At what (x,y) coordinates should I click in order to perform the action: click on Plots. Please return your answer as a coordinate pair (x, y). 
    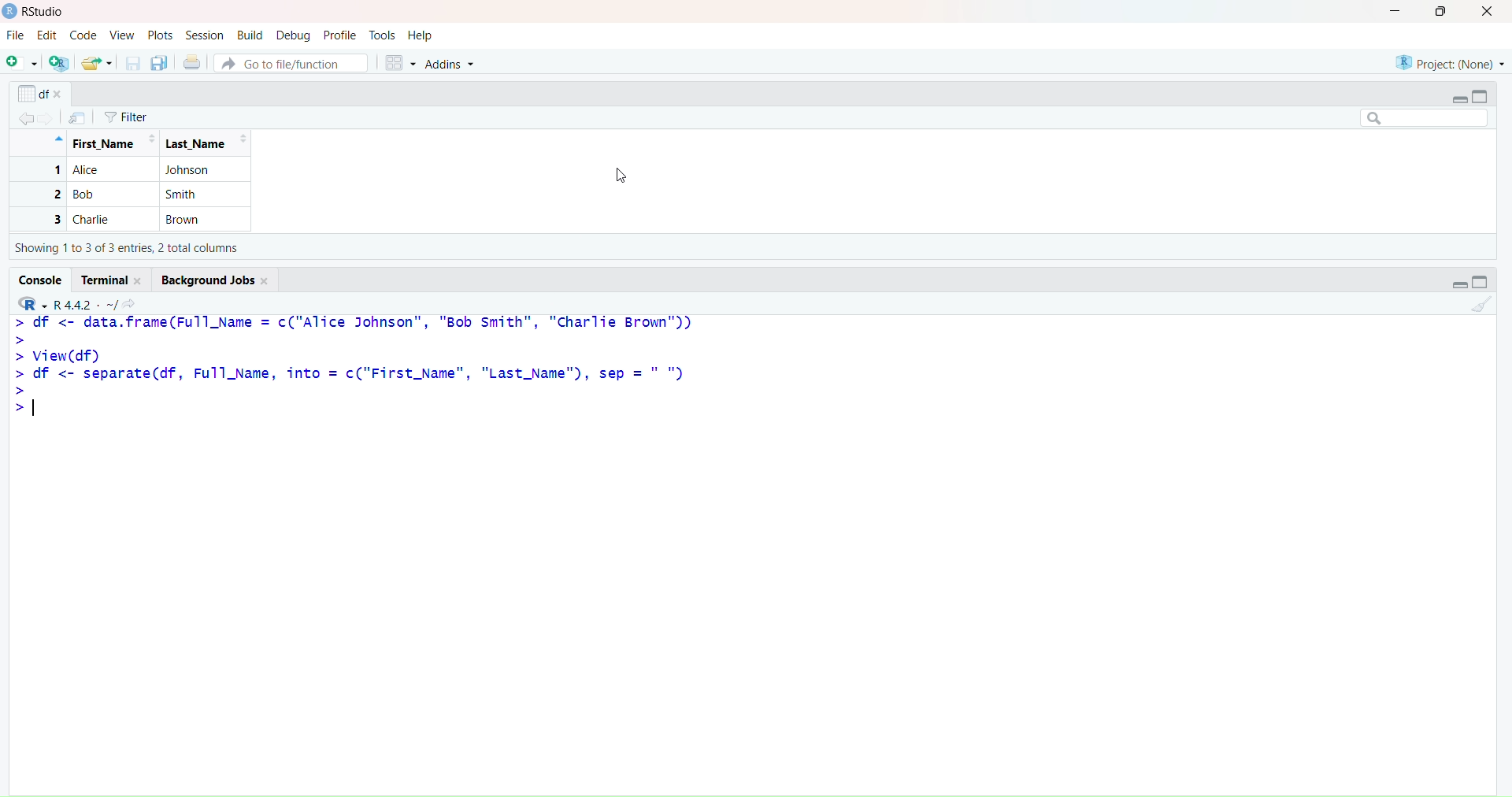
    Looking at the image, I should click on (163, 35).